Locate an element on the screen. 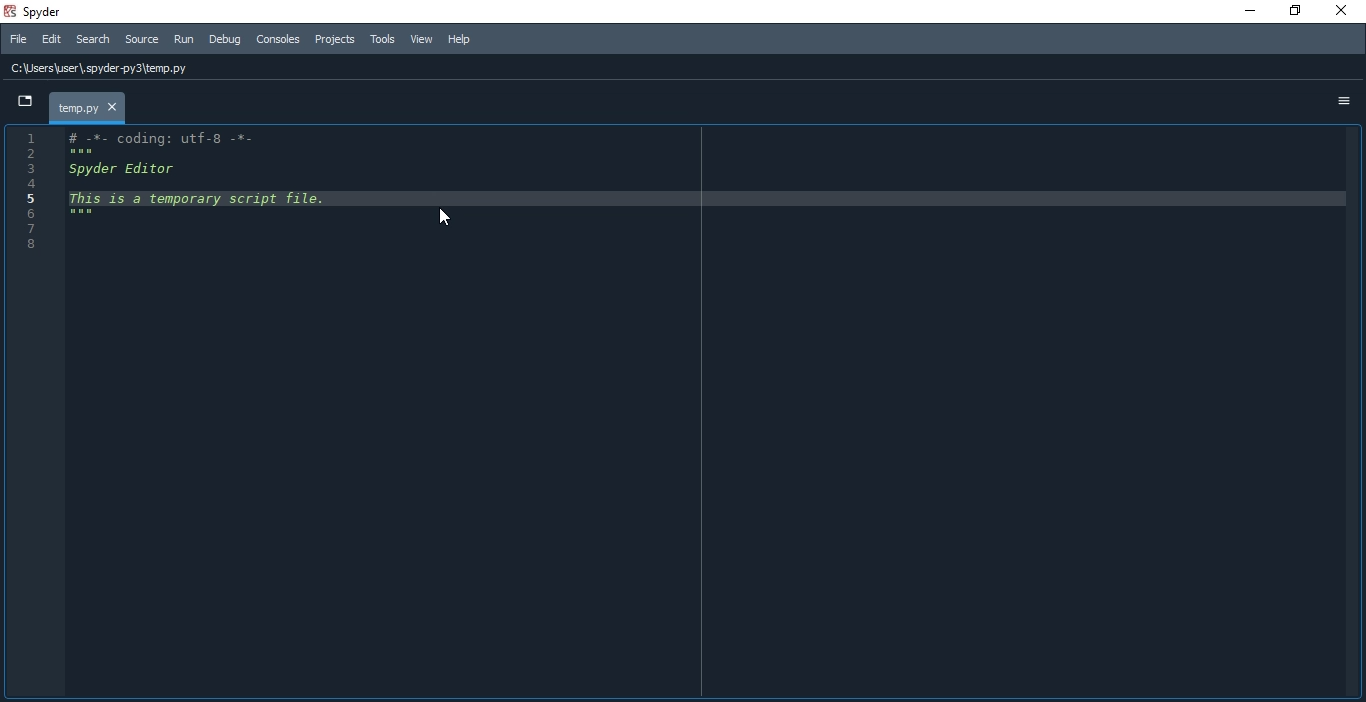 Image resolution: width=1366 pixels, height=702 pixels. close is located at coordinates (1338, 11).